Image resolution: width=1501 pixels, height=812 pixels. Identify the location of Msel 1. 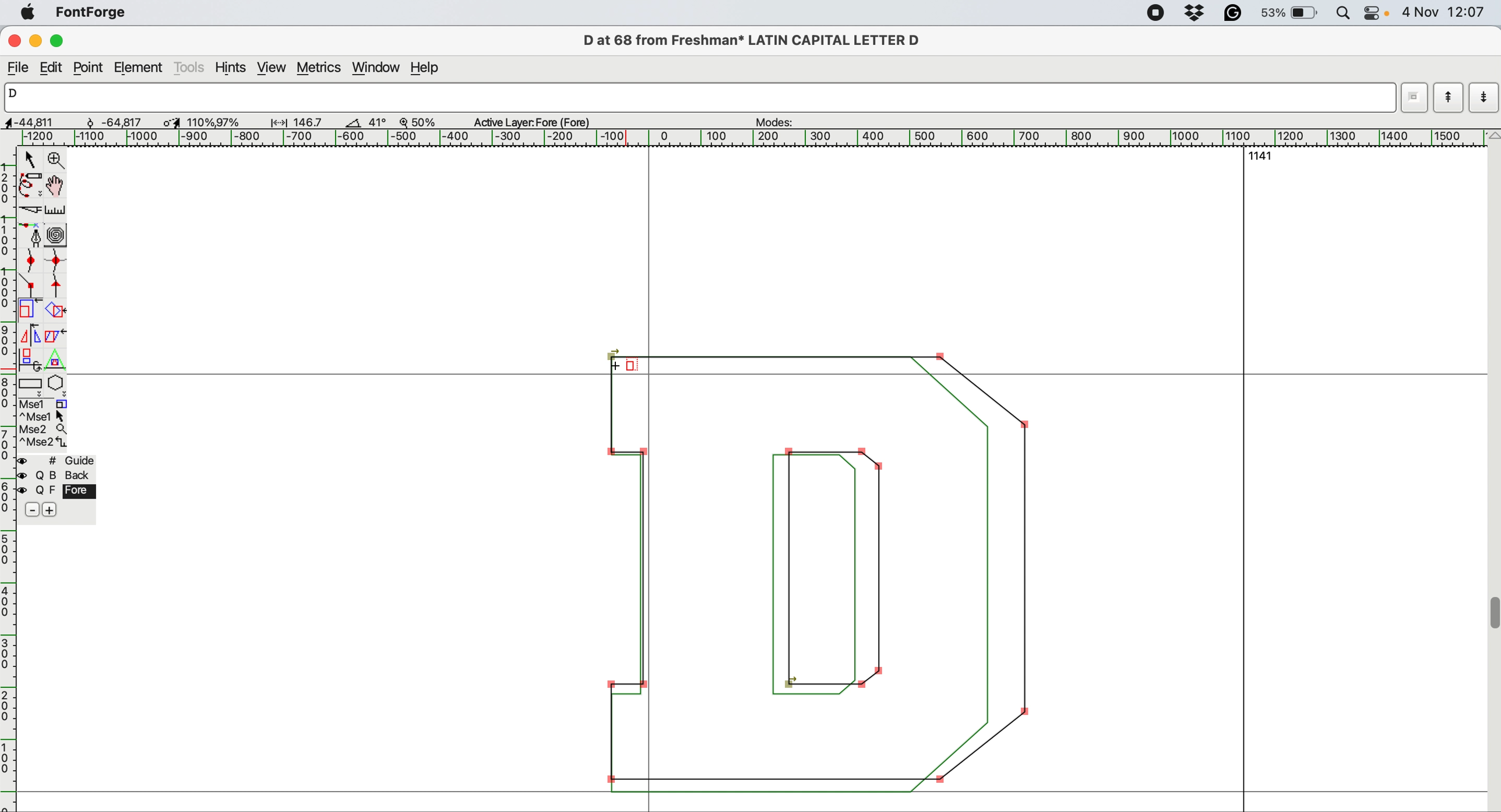
(50, 403).